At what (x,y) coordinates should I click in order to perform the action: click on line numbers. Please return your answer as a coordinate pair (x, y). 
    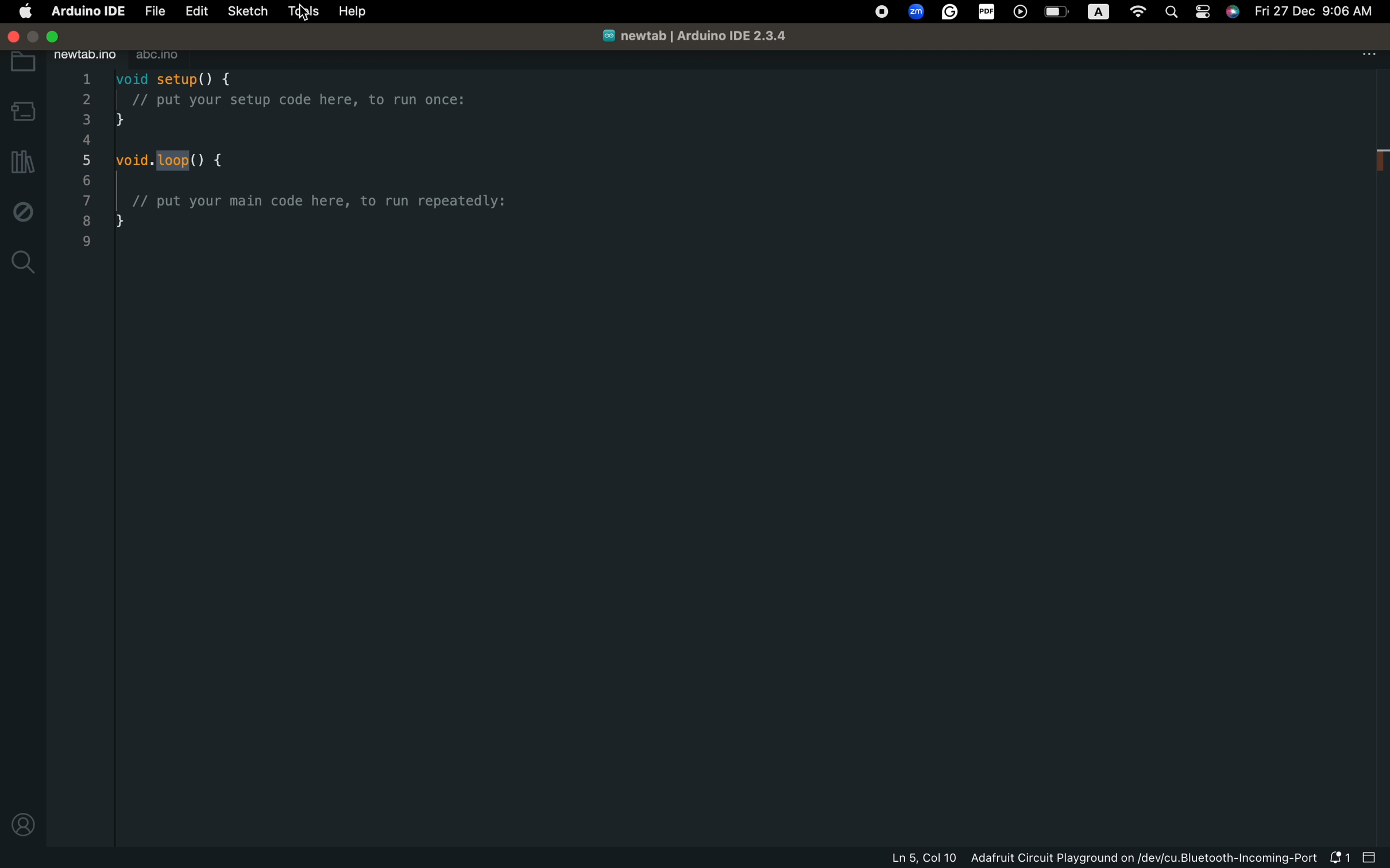
    Looking at the image, I should click on (84, 162).